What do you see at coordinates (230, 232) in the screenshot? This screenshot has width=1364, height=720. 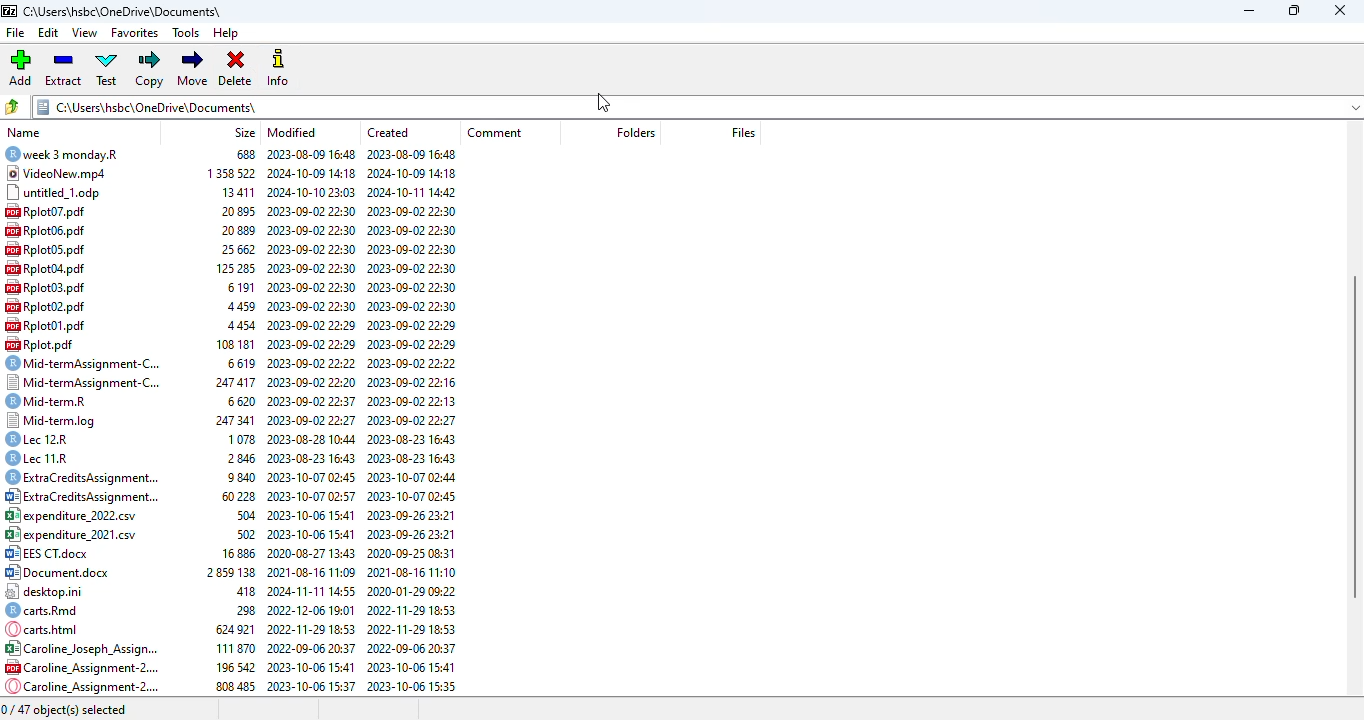 I see `20889` at bounding box center [230, 232].